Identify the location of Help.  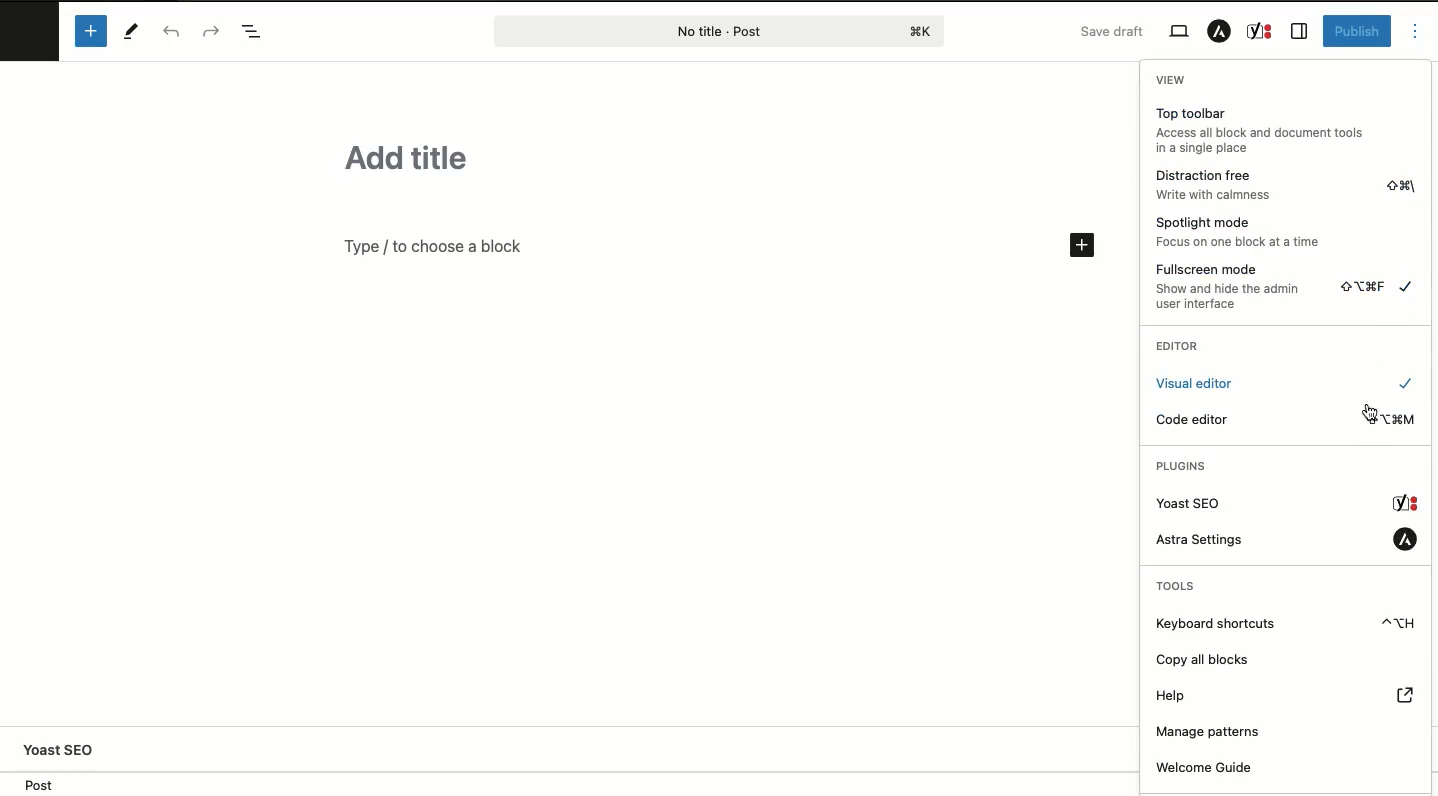
(1285, 697).